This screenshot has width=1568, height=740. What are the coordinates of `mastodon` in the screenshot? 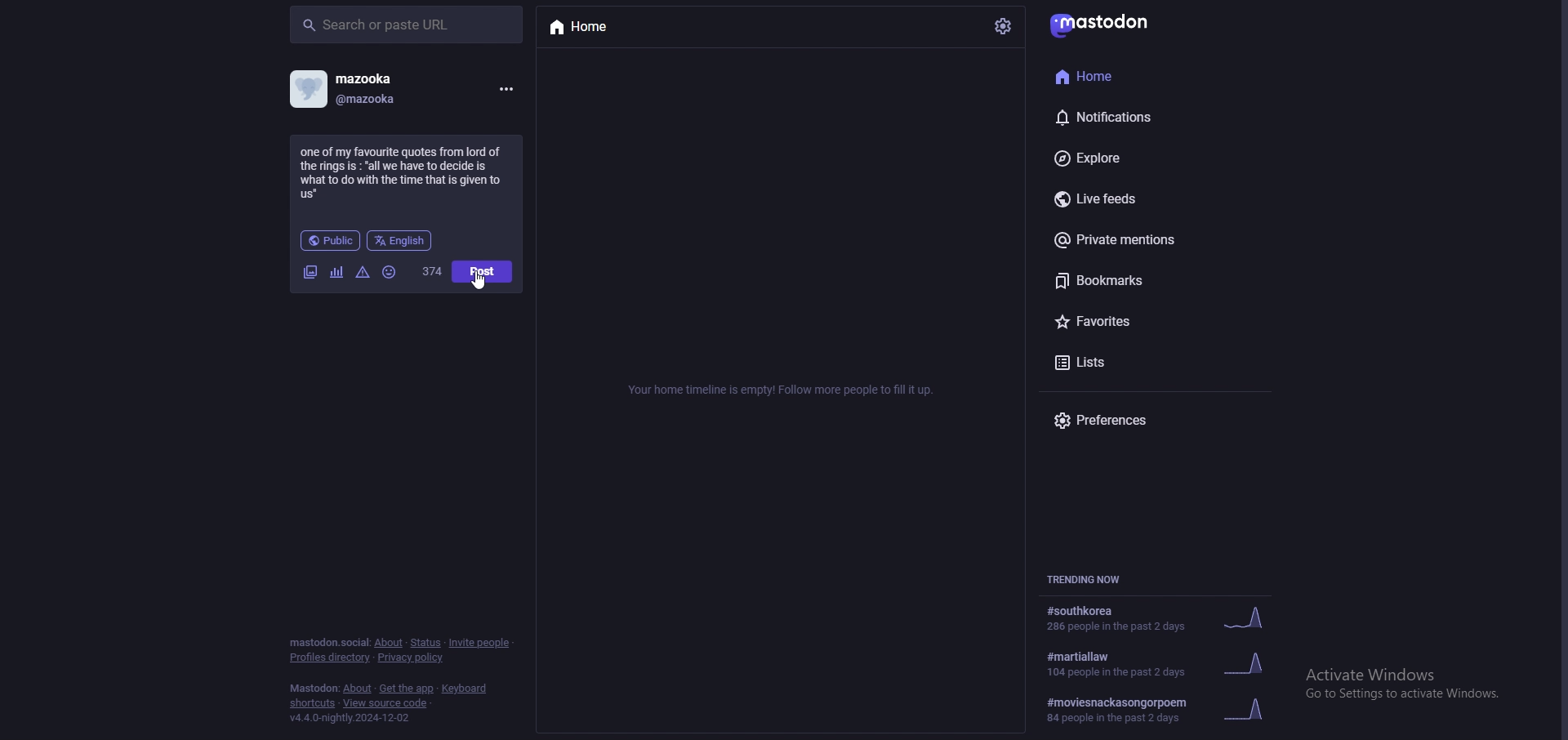 It's located at (314, 689).